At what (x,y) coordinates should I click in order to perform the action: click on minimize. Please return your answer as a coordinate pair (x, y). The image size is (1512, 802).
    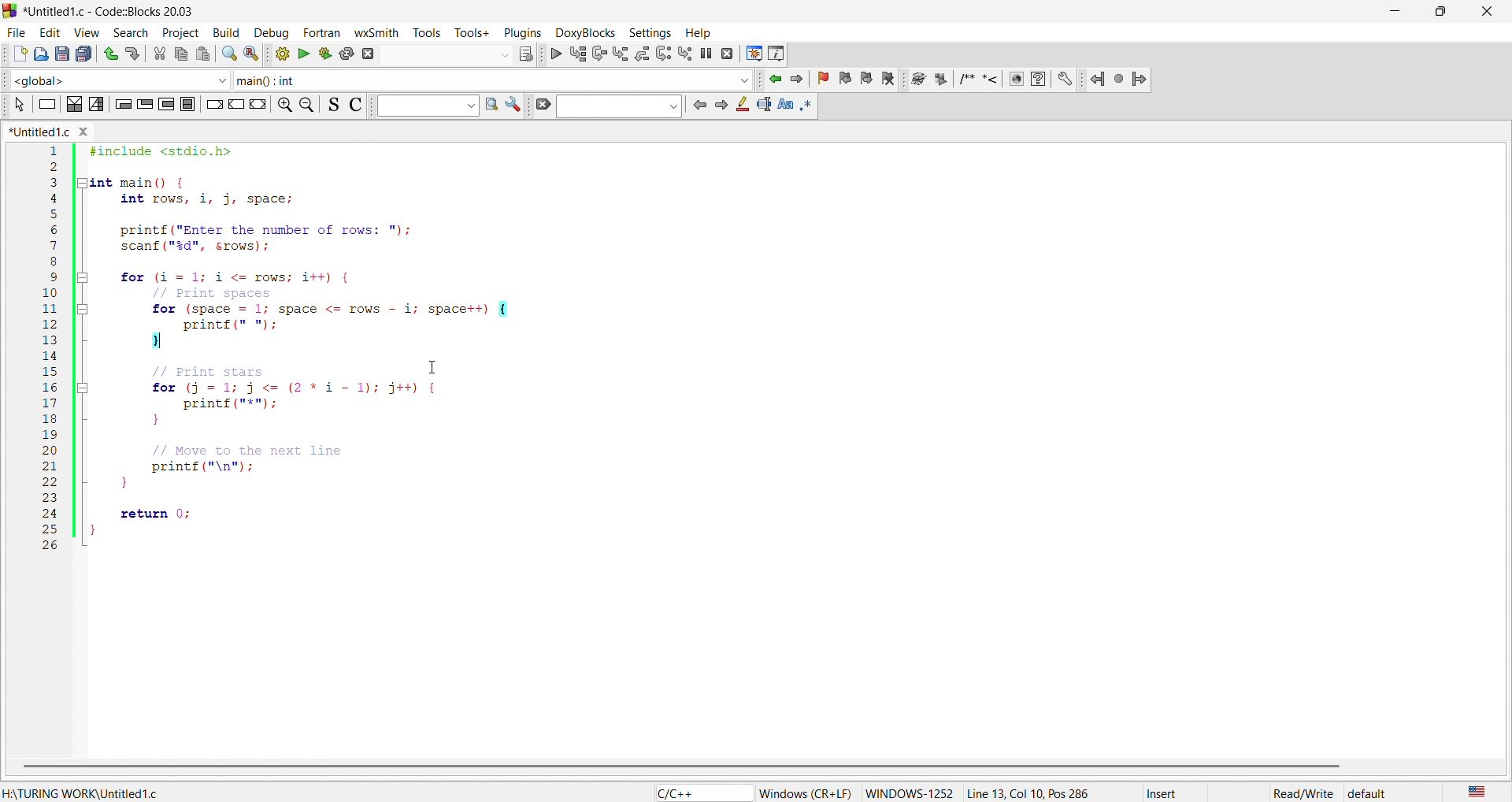
    Looking at the image, I should click on (1392, 11).